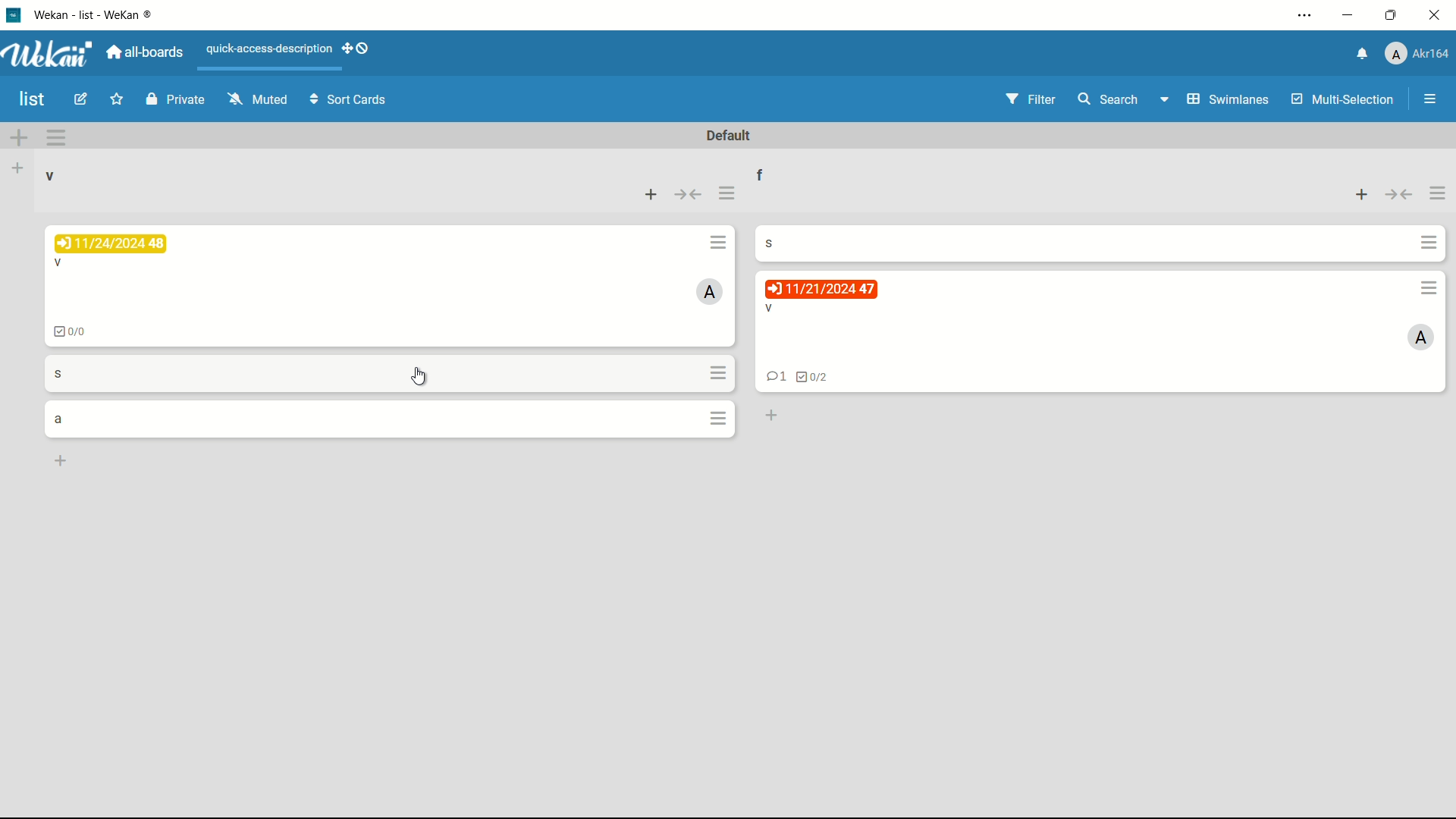 This screenshot has width=1456, height=819. Describe the element at coordinates (1030, 99) in the screenshot. I see `filter` at that location.